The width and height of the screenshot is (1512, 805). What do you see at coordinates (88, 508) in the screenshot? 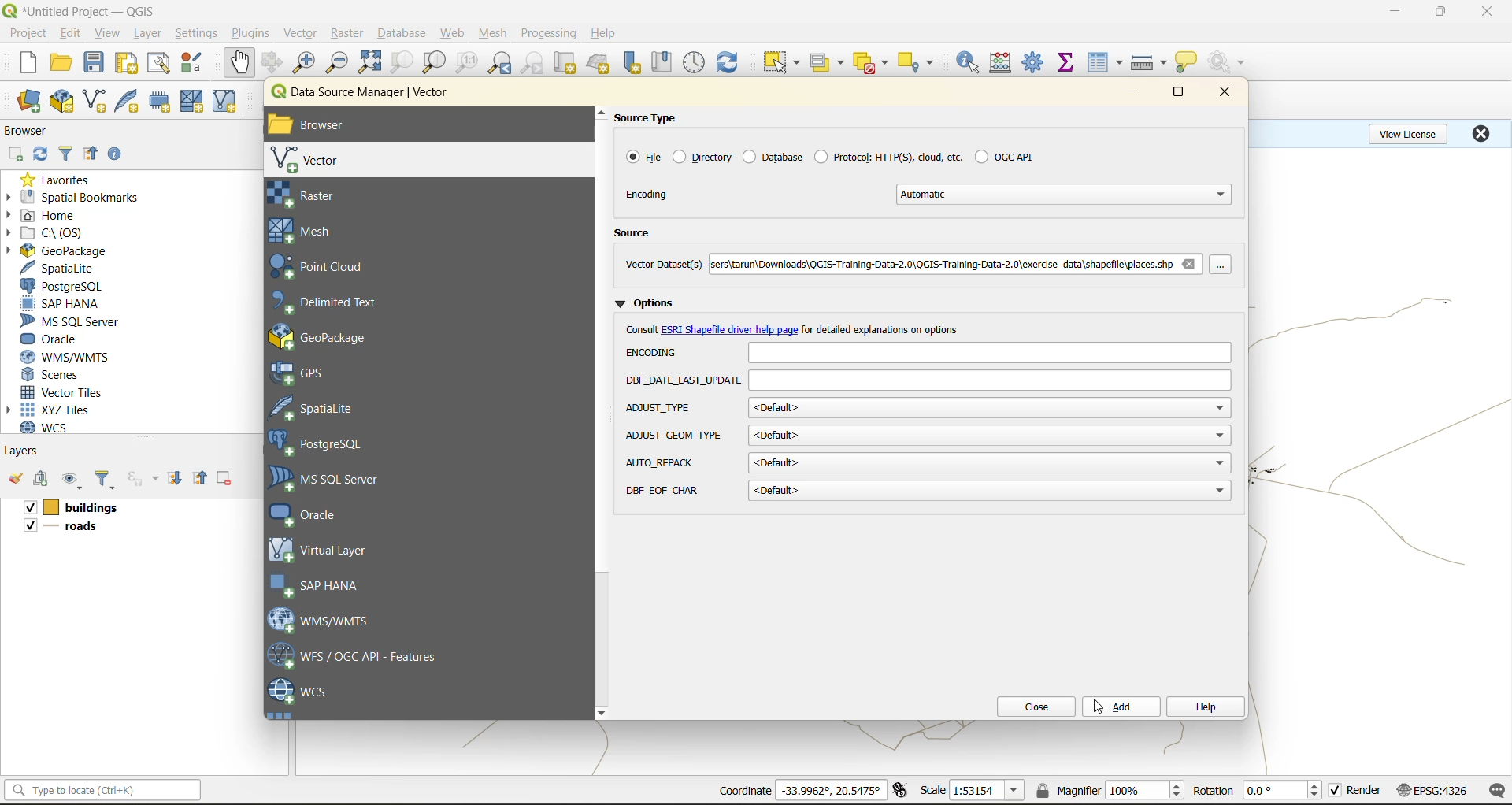
I see `layers` at bounding box center [88, 508].